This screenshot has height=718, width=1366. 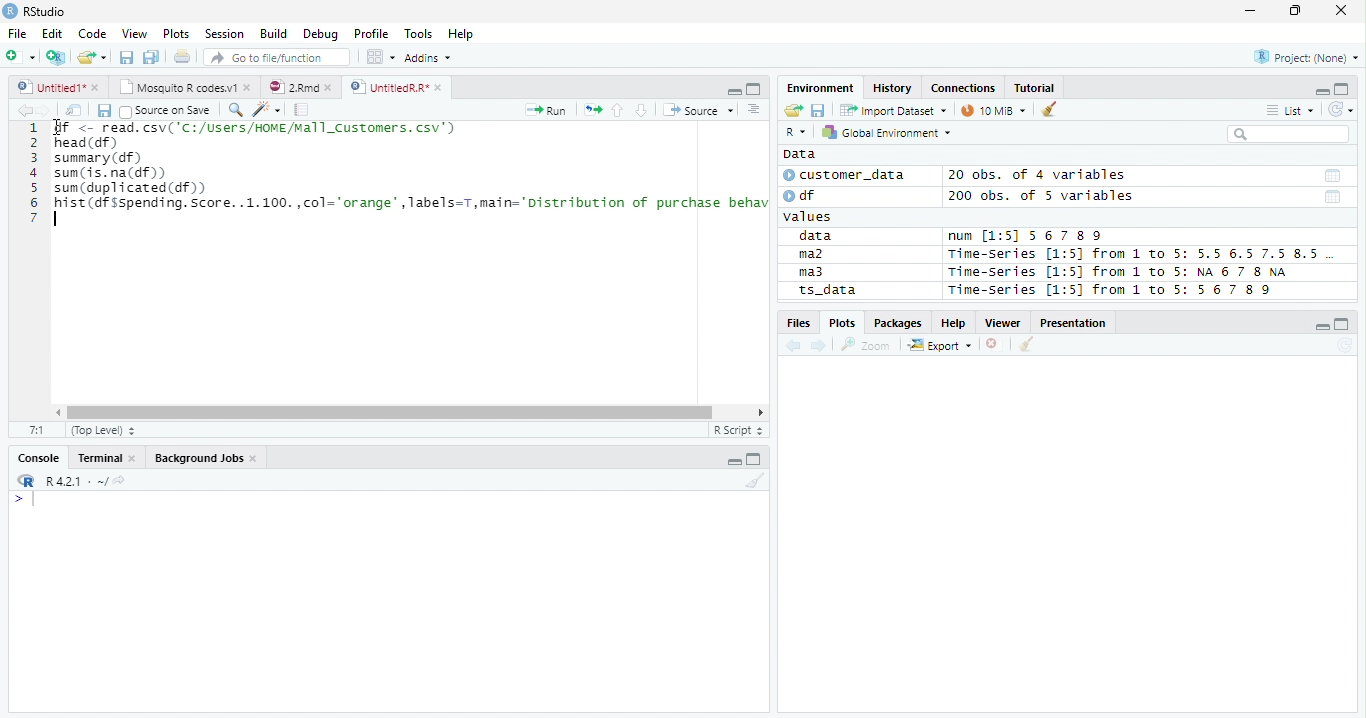 I want to click on RStudio, so click(x=35, y=12).